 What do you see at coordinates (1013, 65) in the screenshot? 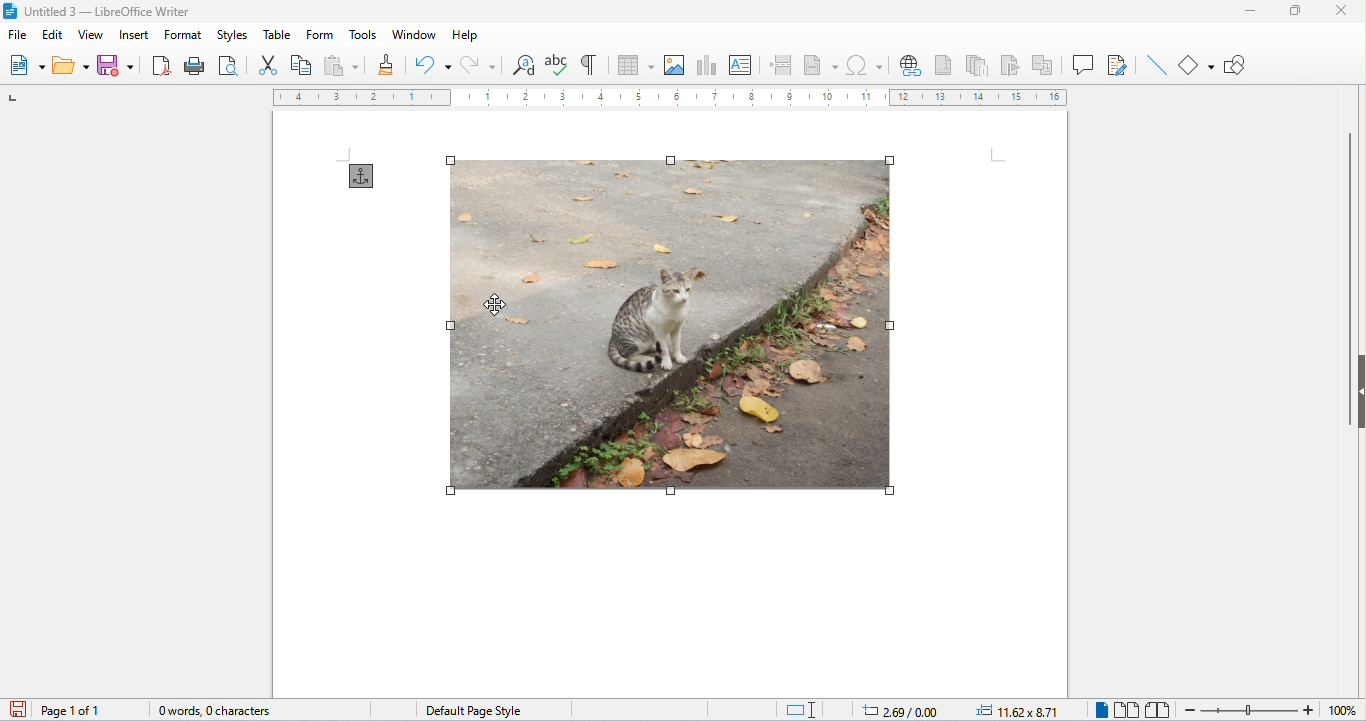
I see `insert bookmark` at bounding box center [1013, 65].